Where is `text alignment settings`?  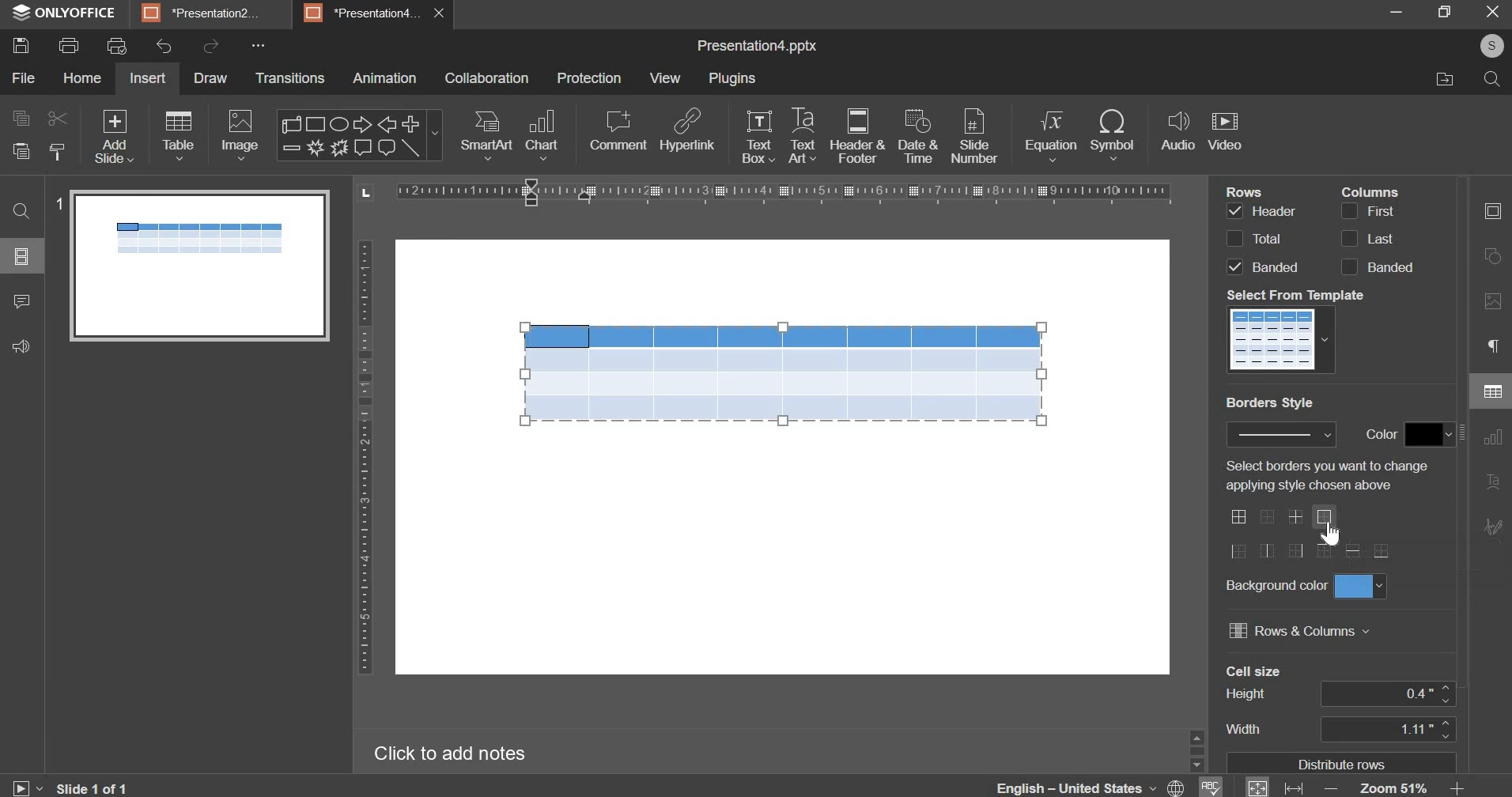
text alignment settings is located at coordinates (1494, 485).